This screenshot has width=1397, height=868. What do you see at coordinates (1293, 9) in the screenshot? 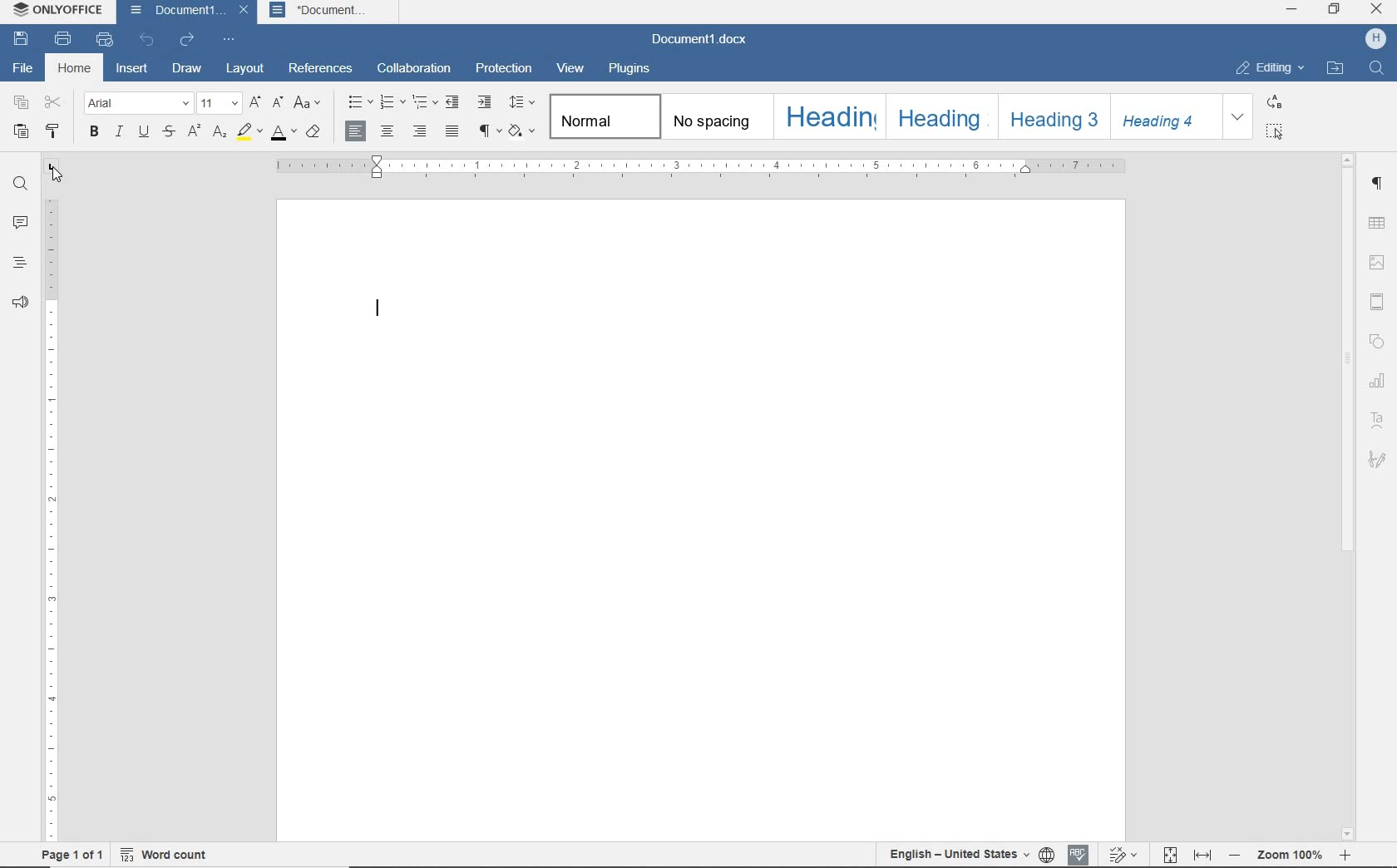
I see `MINIMIZE` at bounding box center [1293, 9].